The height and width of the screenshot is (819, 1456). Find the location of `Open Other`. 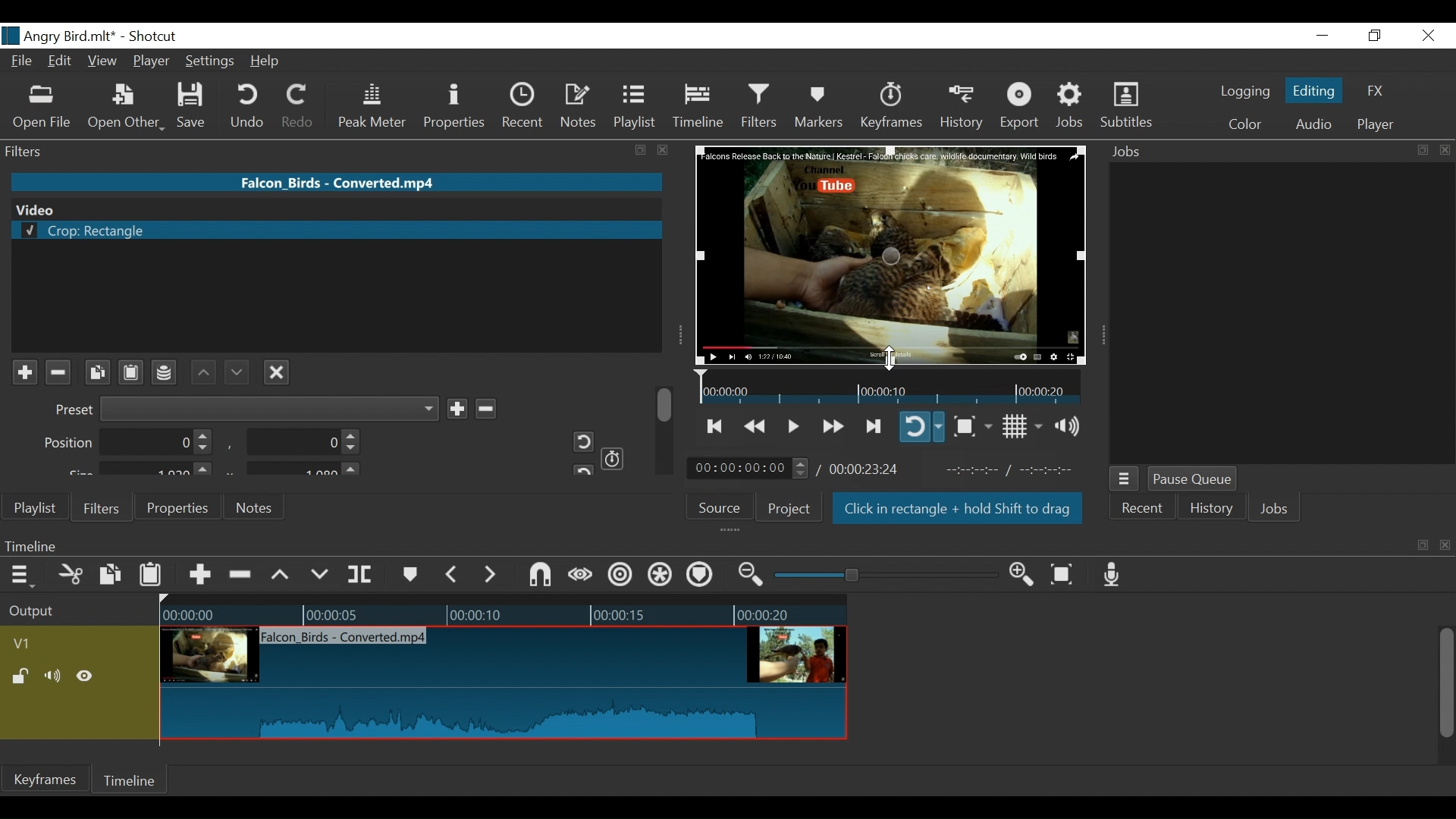

Open Other is located at coordinates (126, 107).